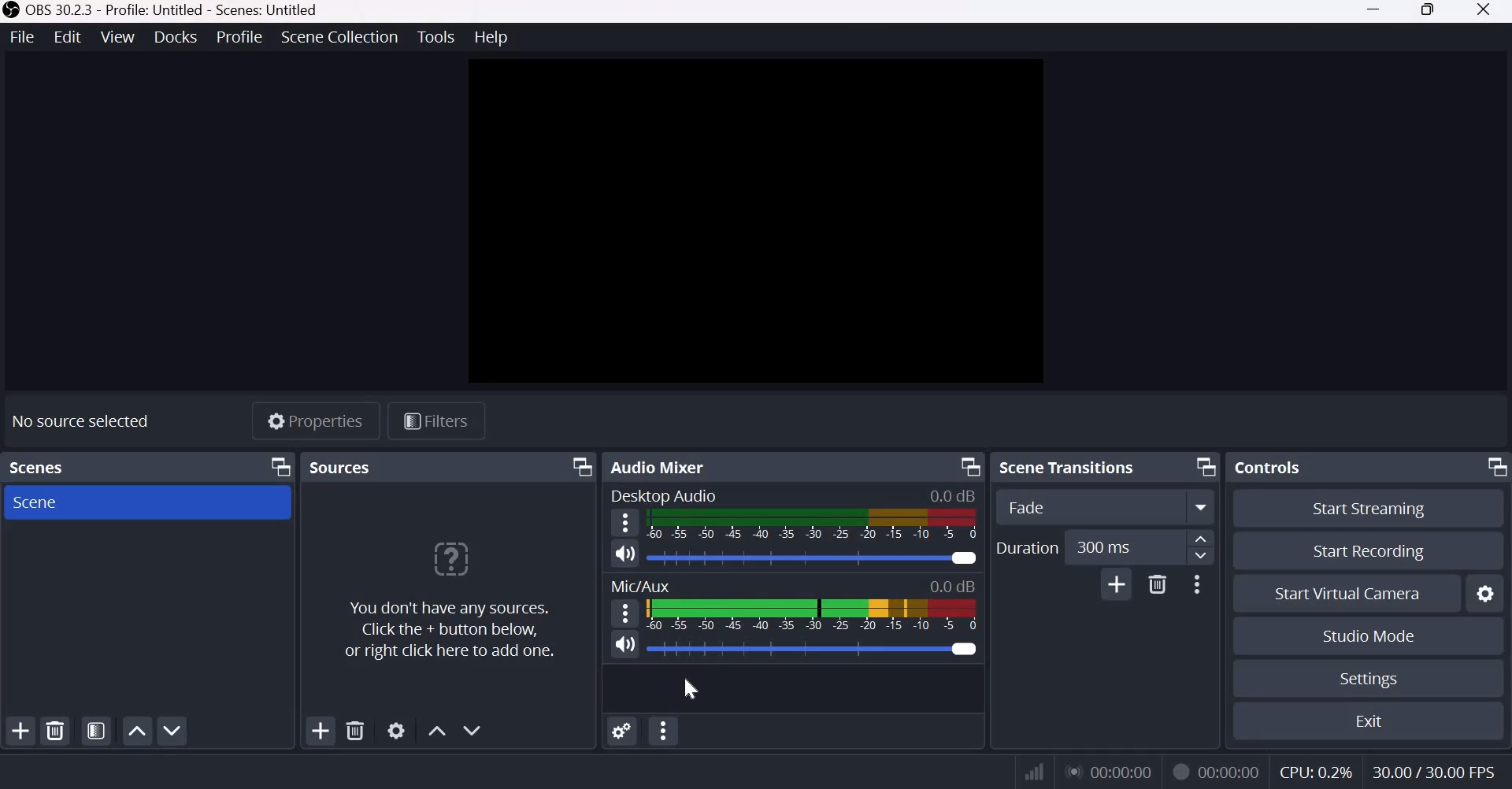 The width and height of the screenshot is (1512, 789). Describe the element at coordinates (1354, 595) in the screenshot. I see `Start Virtual Camera` at that location.